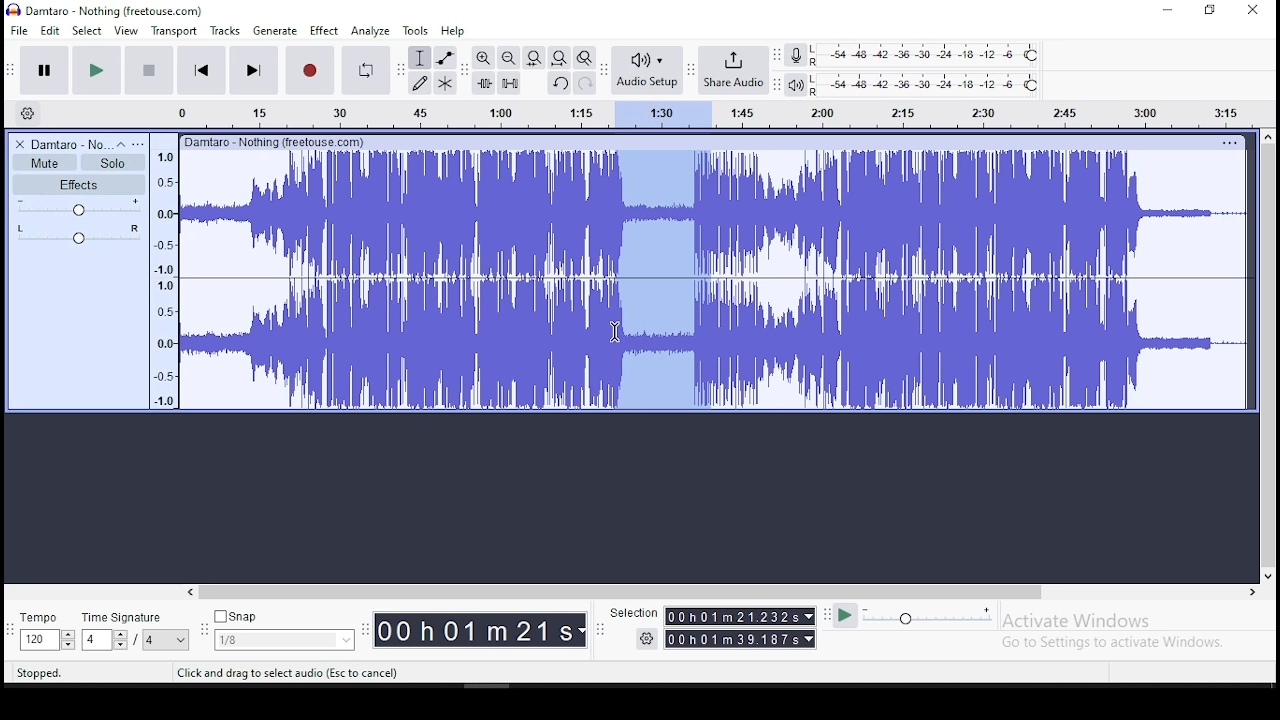  I want to click on draw tool, so click(420, 83).